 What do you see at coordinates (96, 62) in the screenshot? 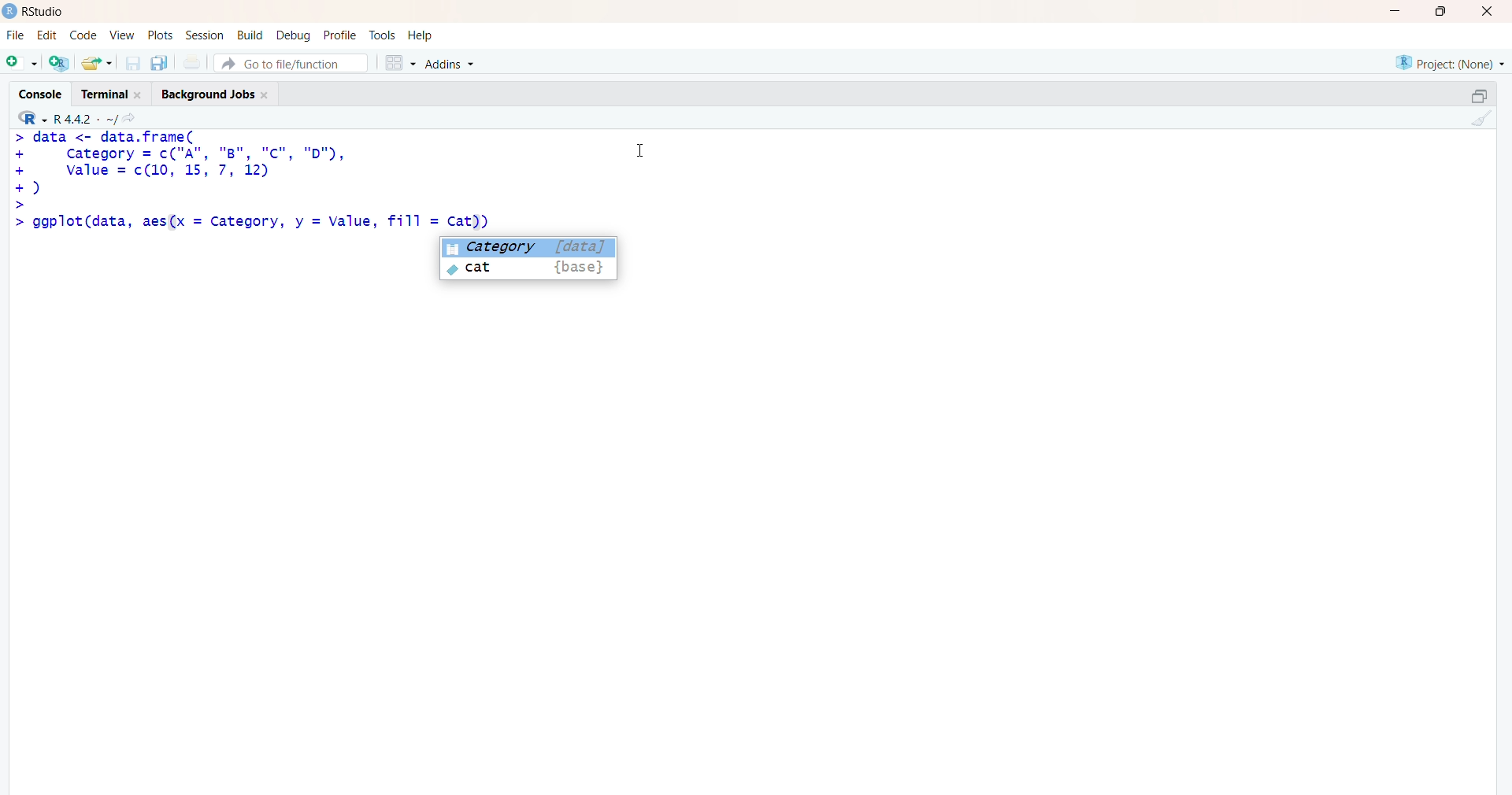
I see `open an existing file` at bounding box center [96, 62].